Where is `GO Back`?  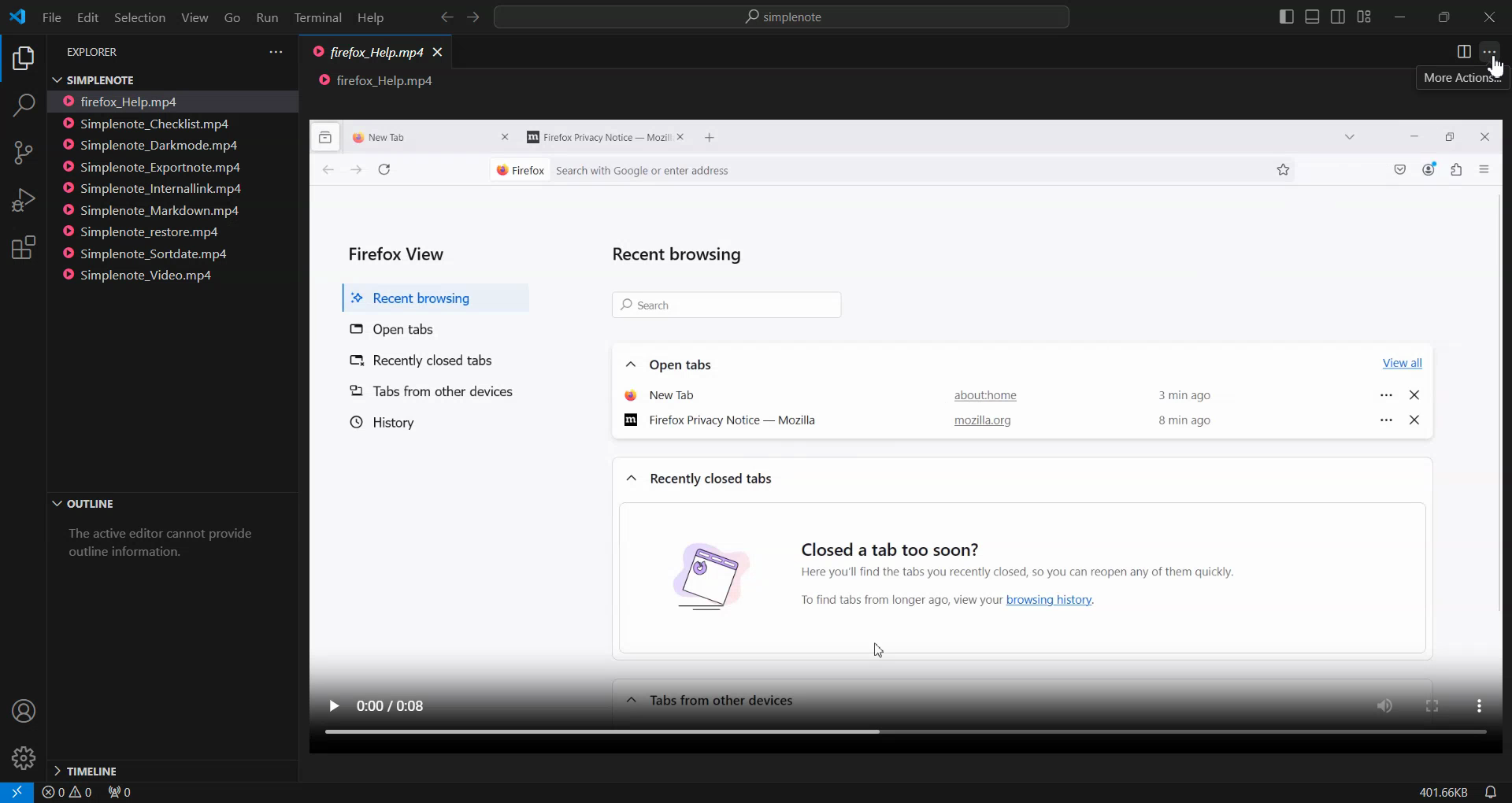 GO Back is located at coordinates (447, 17).